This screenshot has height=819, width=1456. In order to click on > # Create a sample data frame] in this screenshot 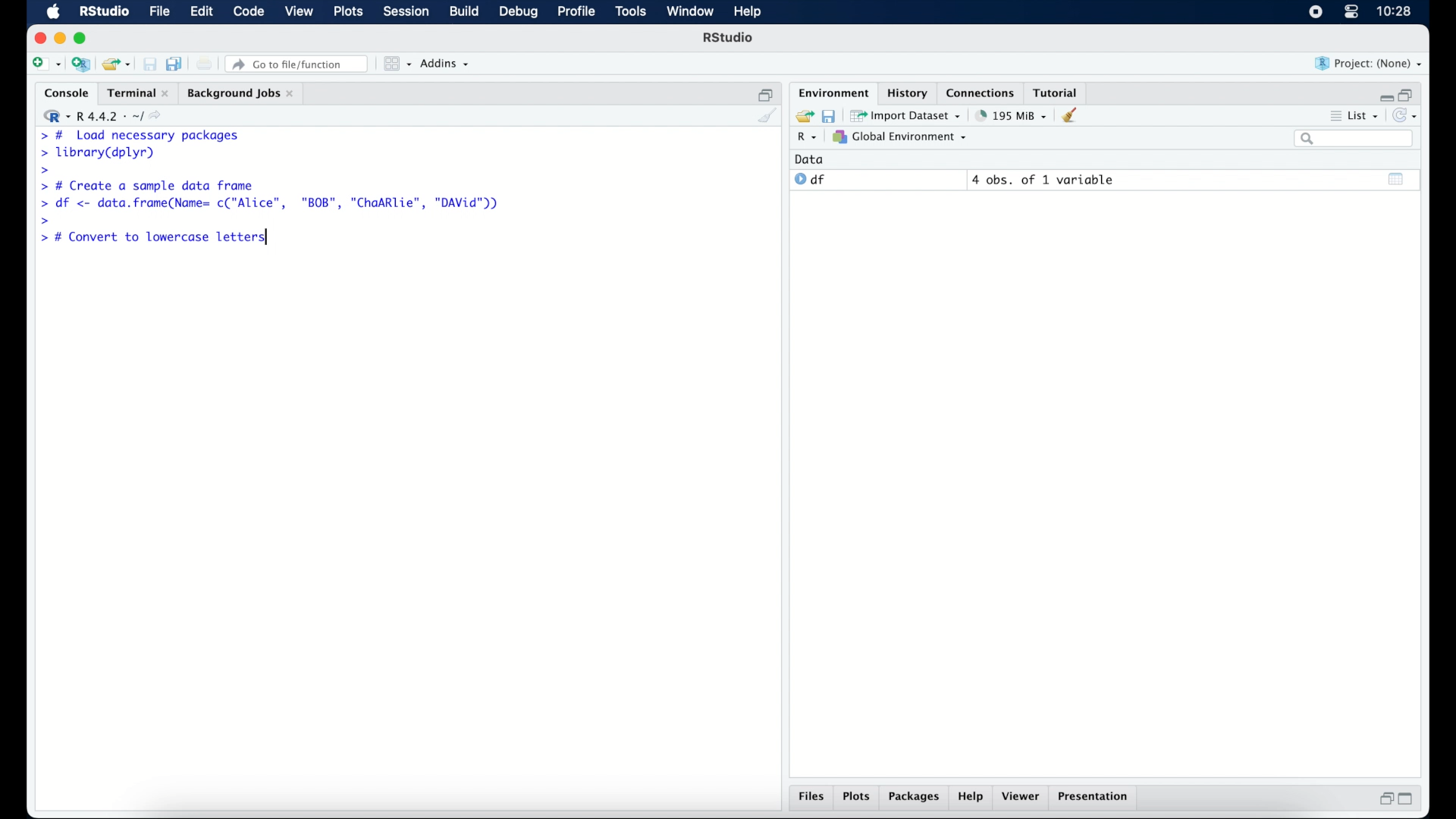, I will do `click(150, 185)`.